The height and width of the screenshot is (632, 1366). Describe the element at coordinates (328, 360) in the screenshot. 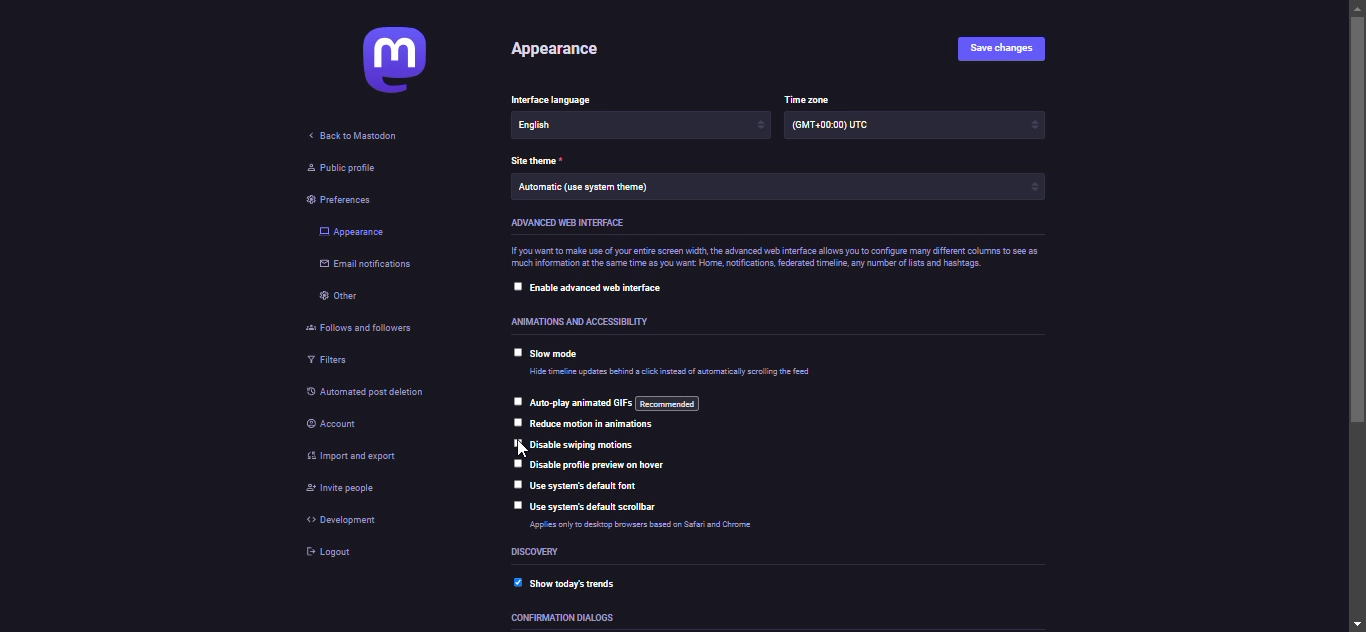

I see `filters` at that location.